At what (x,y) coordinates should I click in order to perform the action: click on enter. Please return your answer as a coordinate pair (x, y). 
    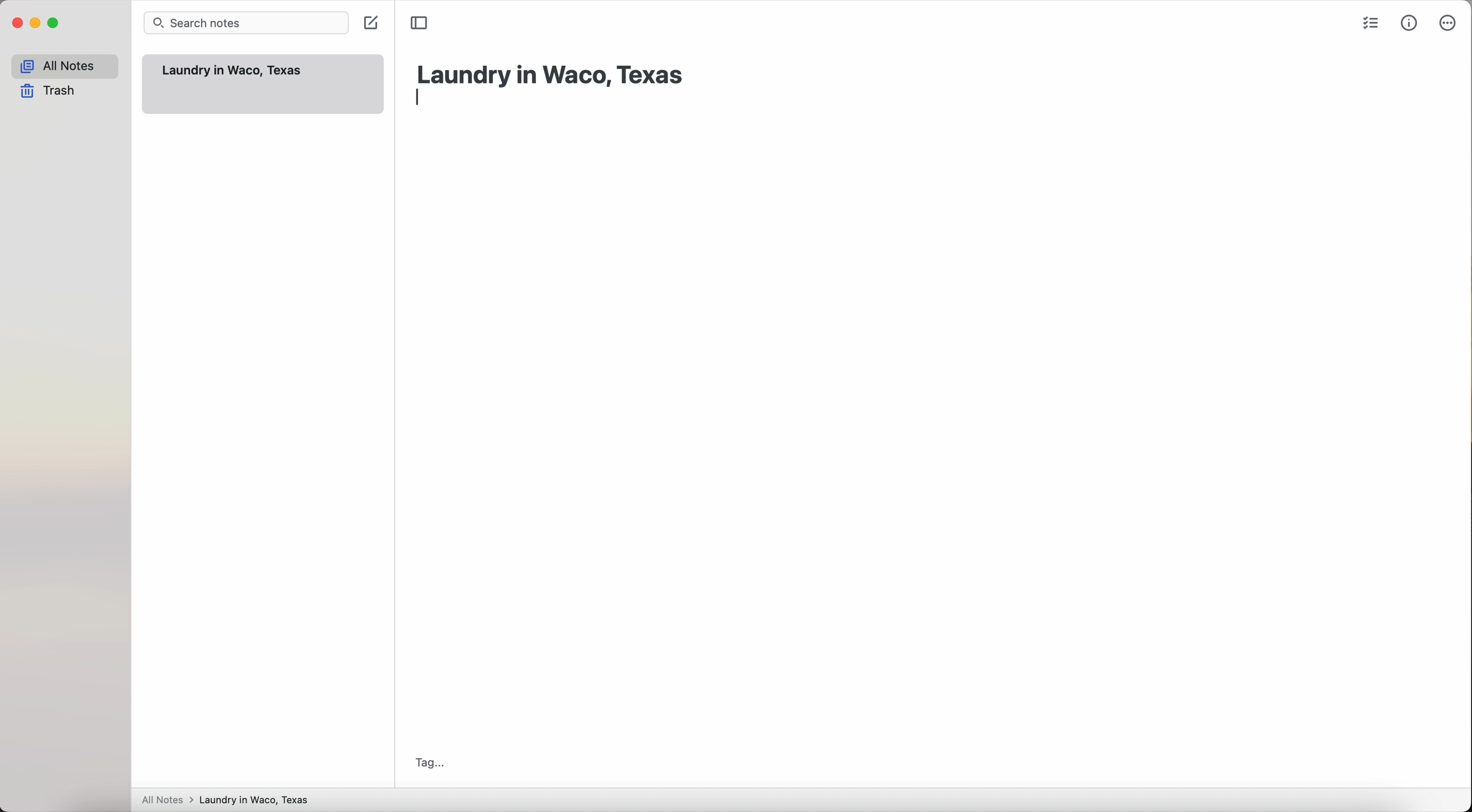
    Looking at the image, I should click on (421, 102).